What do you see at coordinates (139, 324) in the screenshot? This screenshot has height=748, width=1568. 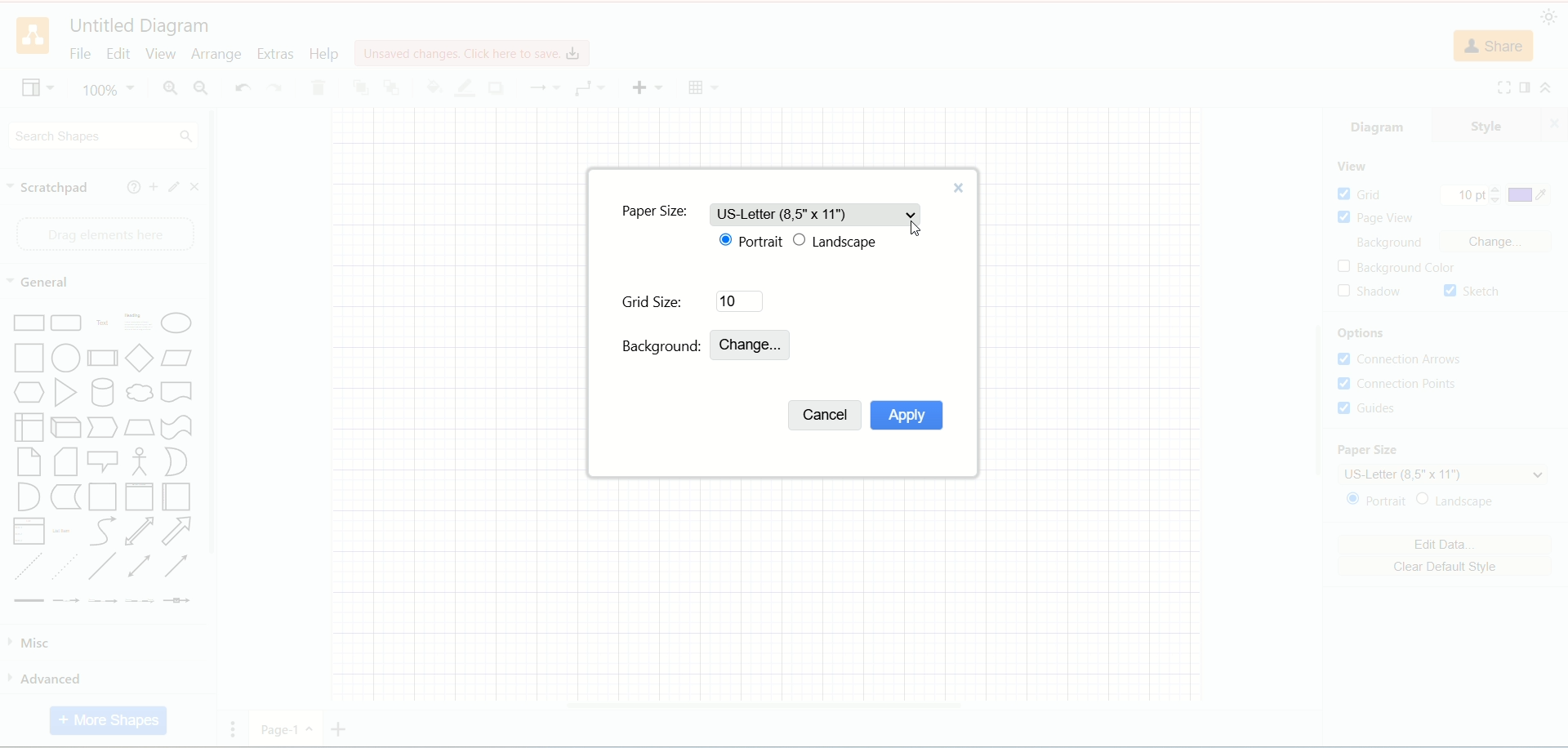 I see `Heading with Text` at bounding box center [139, 324].